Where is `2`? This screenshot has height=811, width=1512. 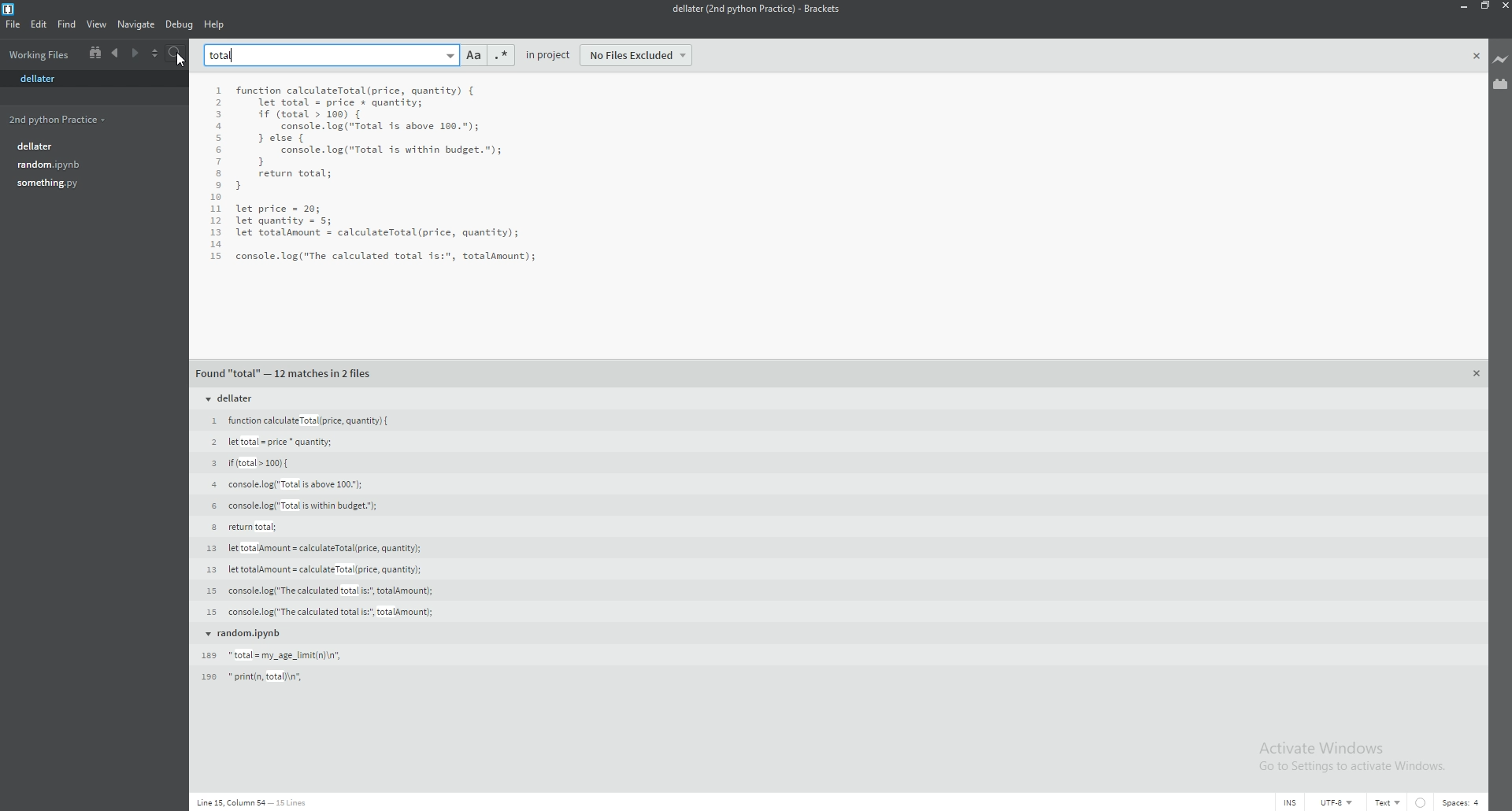 2 is located at coordinates (217, 103).